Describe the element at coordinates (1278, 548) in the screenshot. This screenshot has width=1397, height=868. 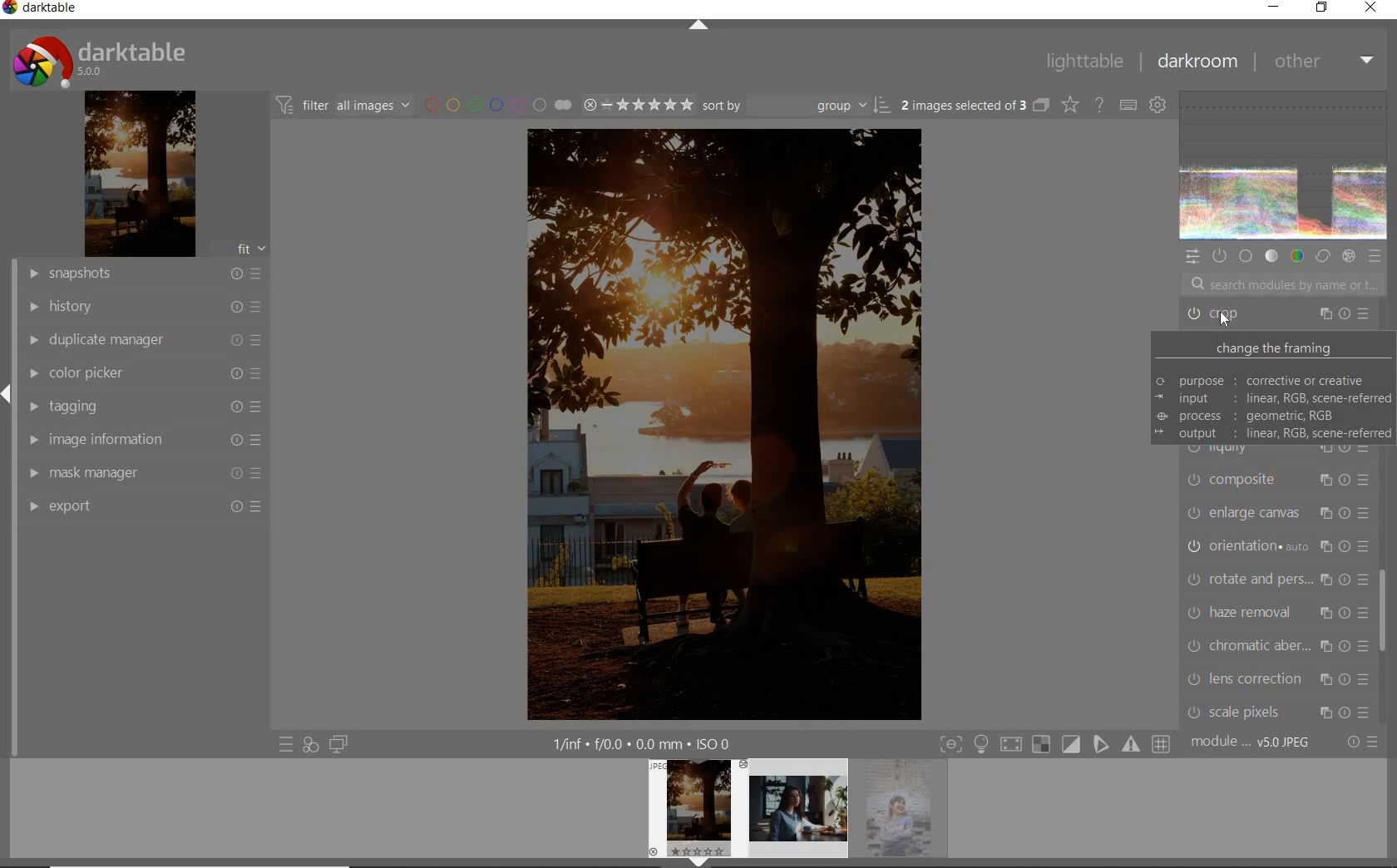
I see `orientation` at that location.